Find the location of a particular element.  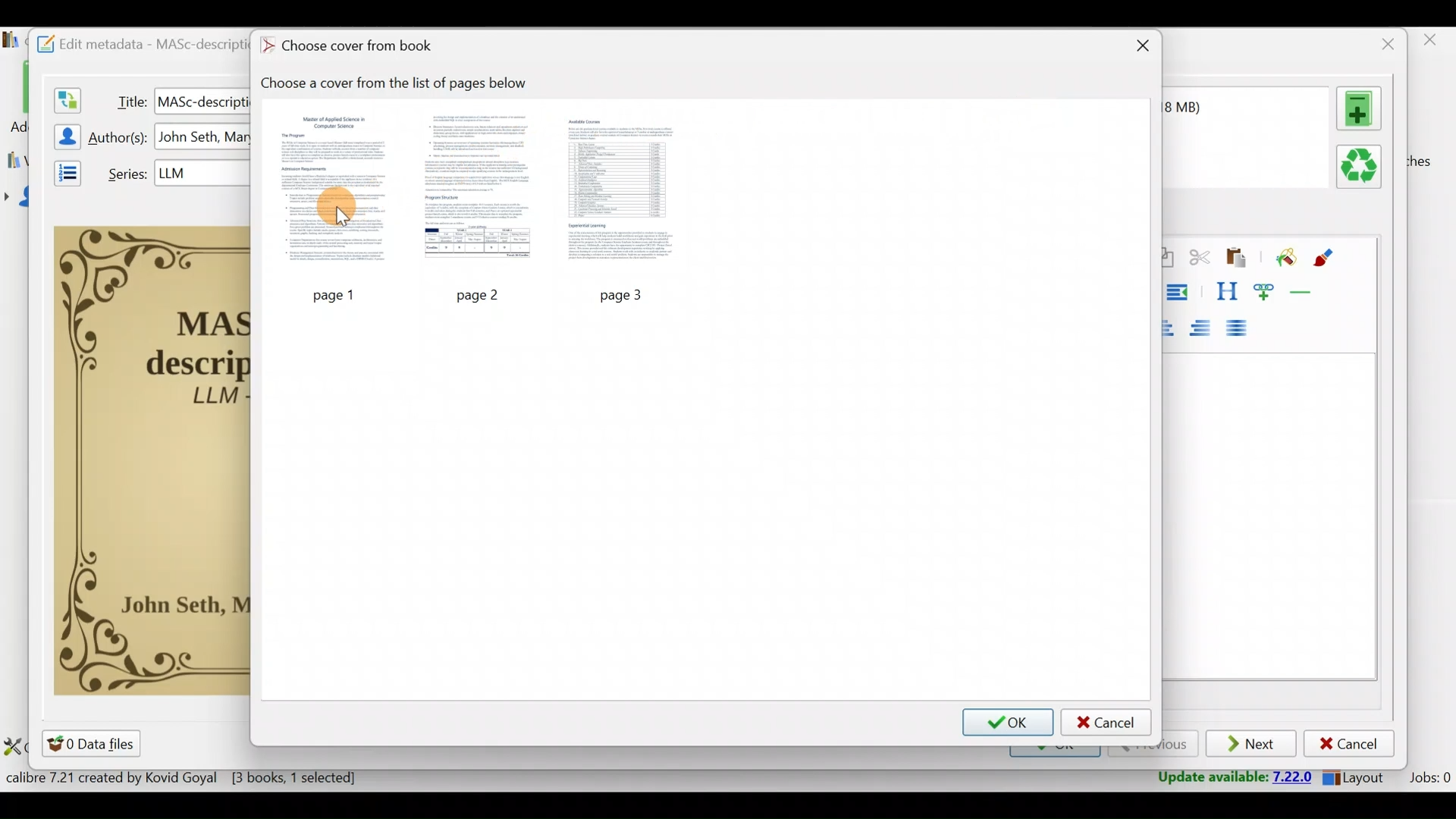

Next is located at coordinates (1253, 745).